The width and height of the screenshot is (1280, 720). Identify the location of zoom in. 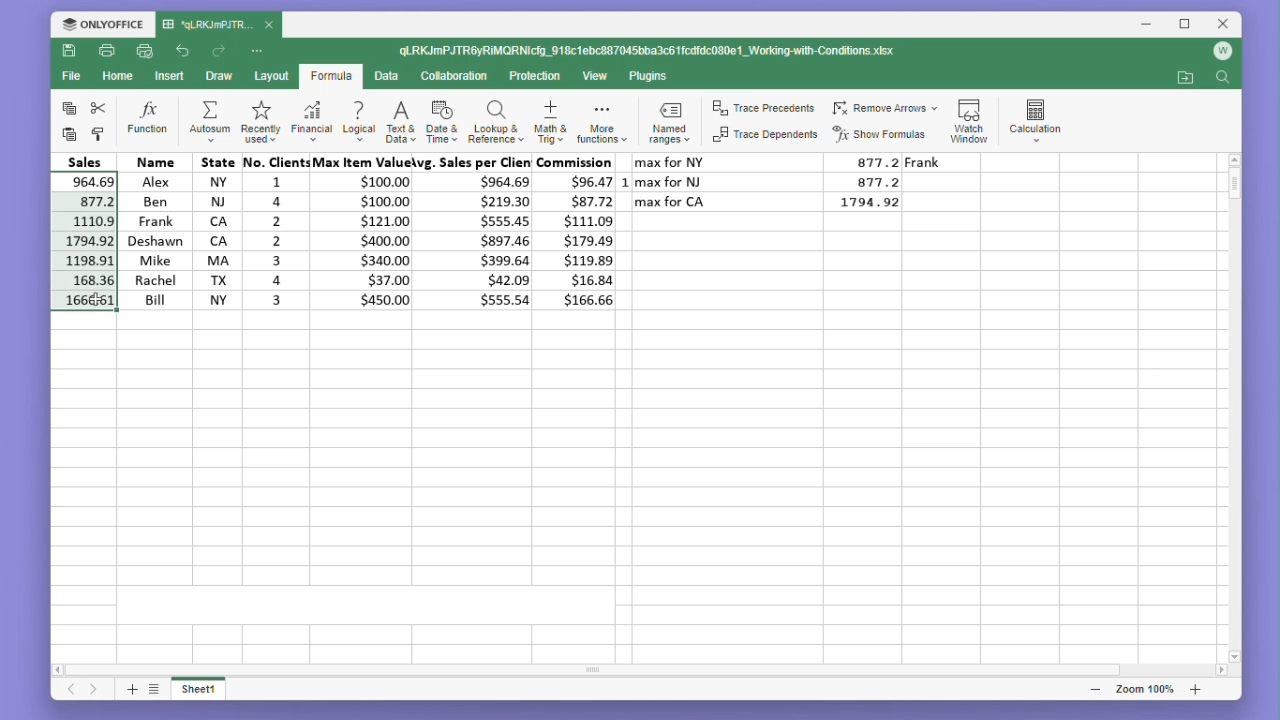
(1195, 689).